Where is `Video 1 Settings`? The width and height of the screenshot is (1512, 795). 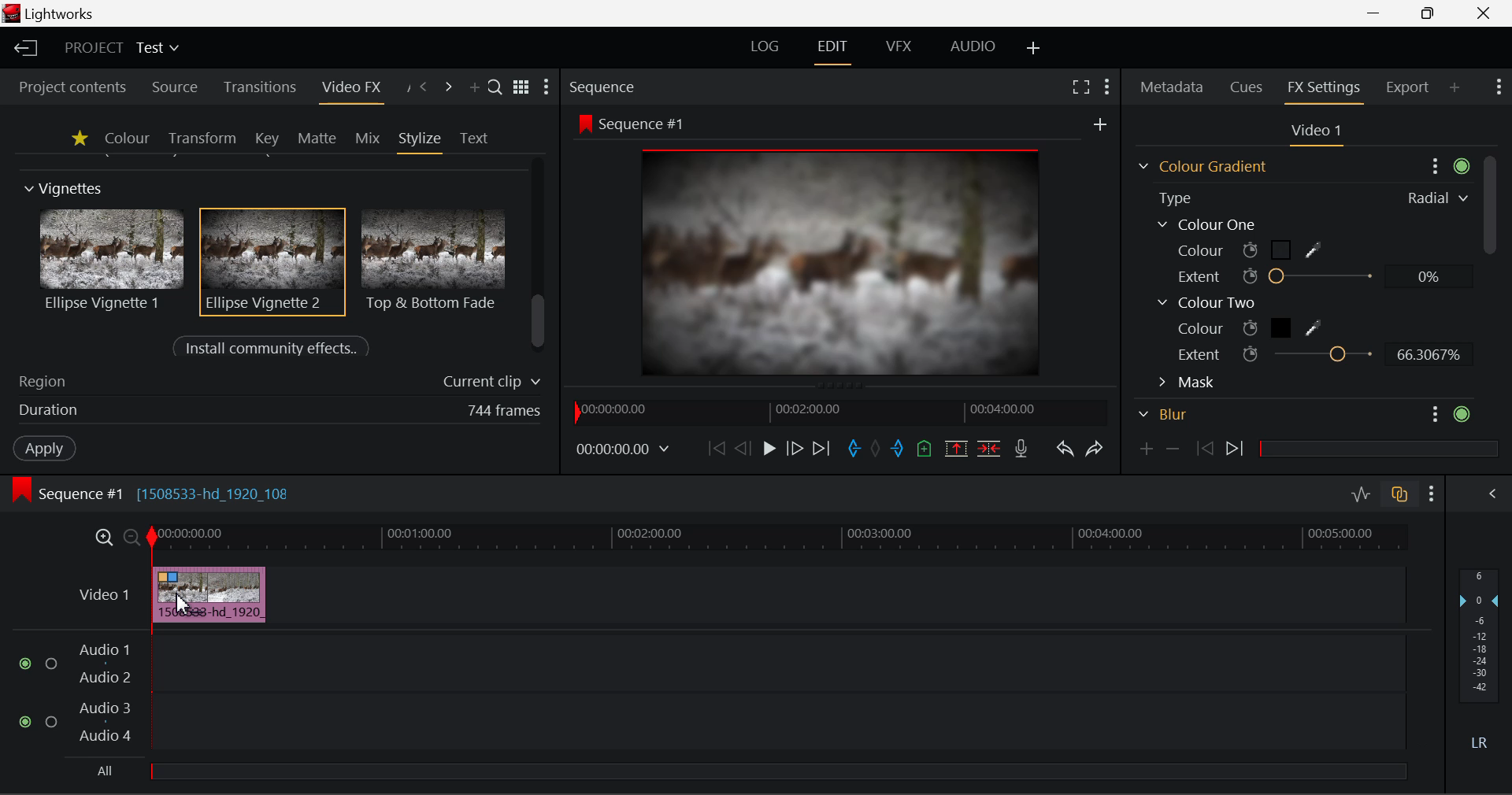 Video 1 Settings is located at coordinates (1317, 132).